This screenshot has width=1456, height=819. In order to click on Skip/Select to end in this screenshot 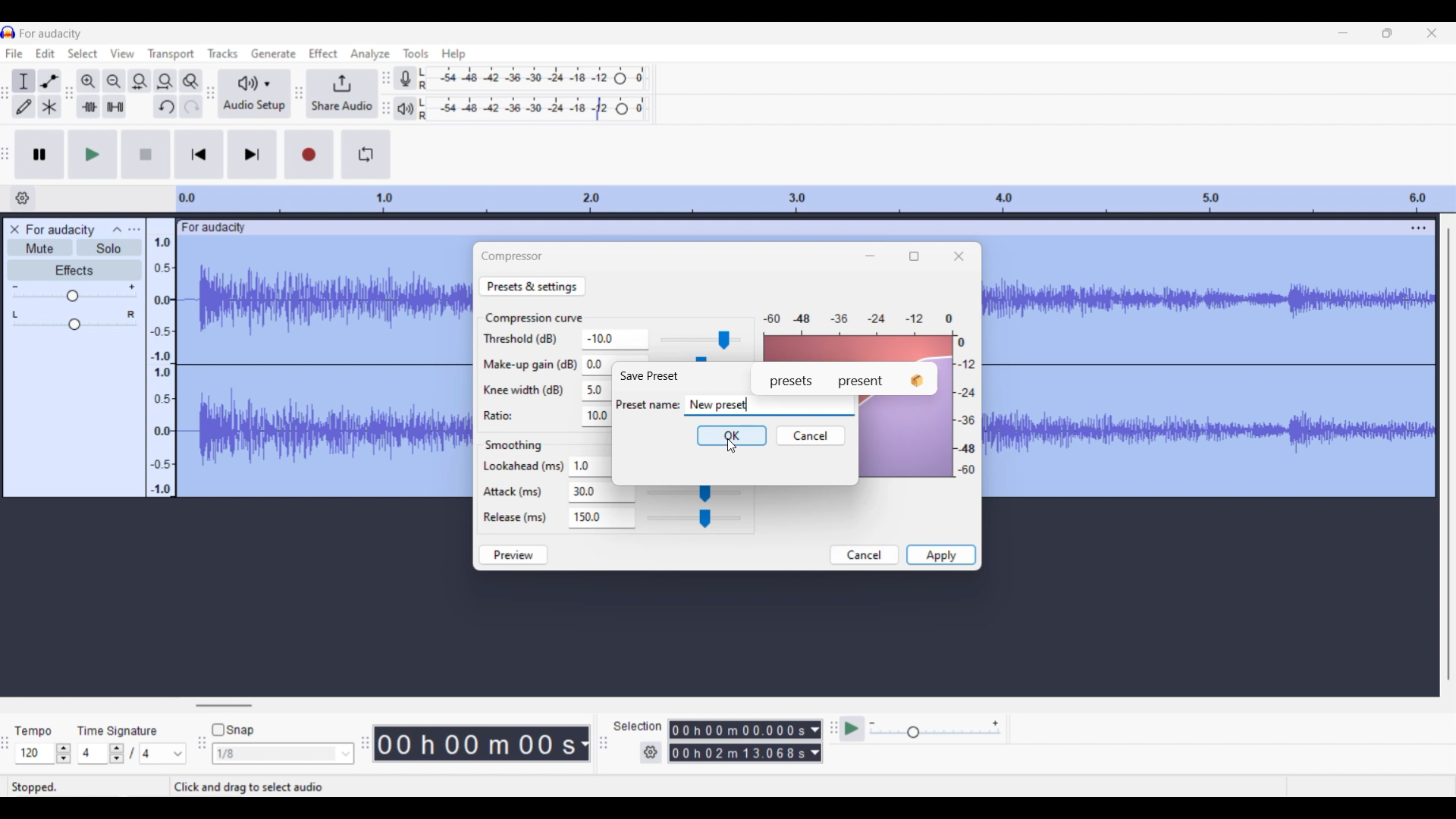, I will do `click(253, 155)`.